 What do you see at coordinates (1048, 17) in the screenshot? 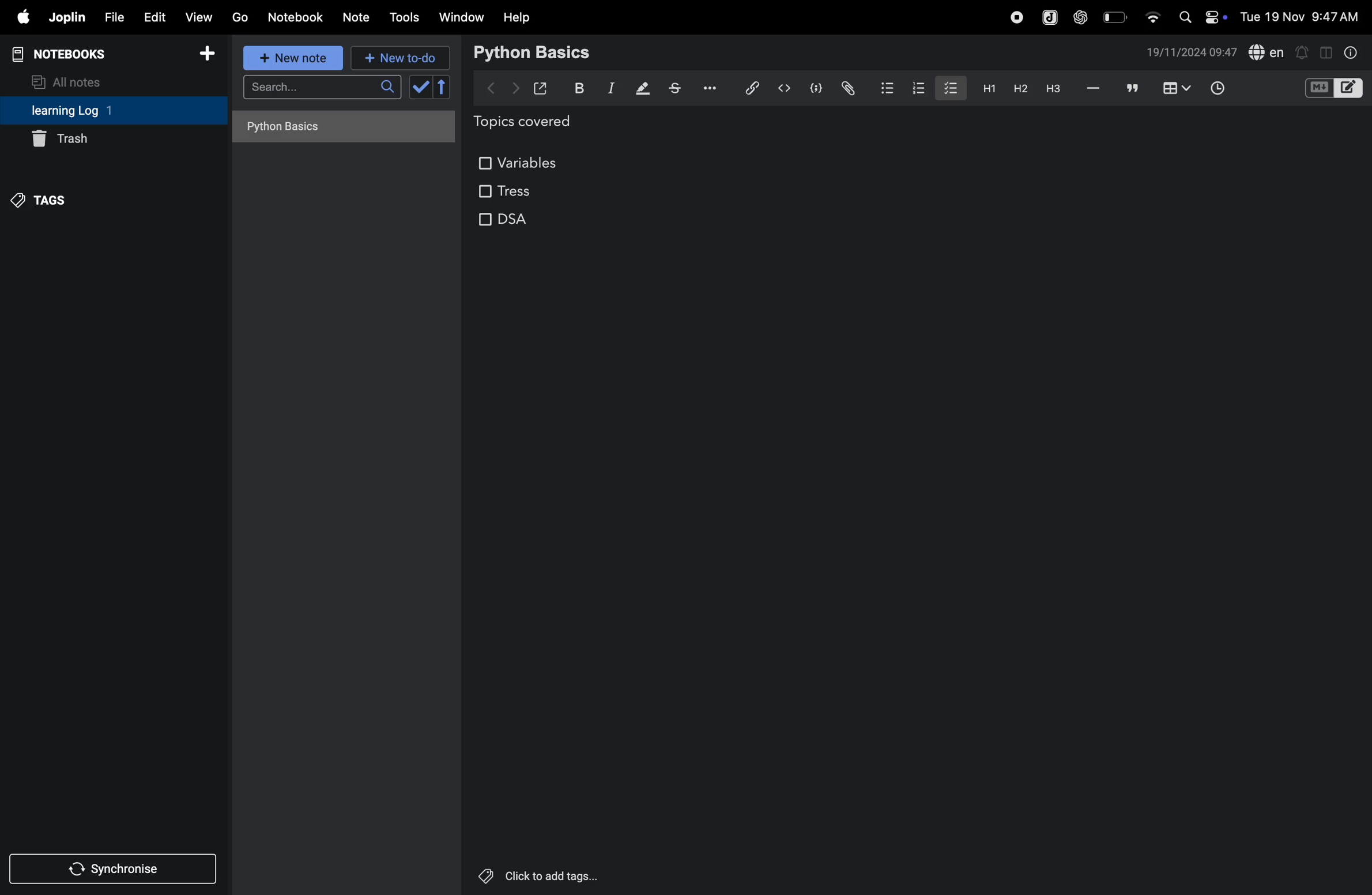
I see `joplin` at bounding box center [1048, 17].